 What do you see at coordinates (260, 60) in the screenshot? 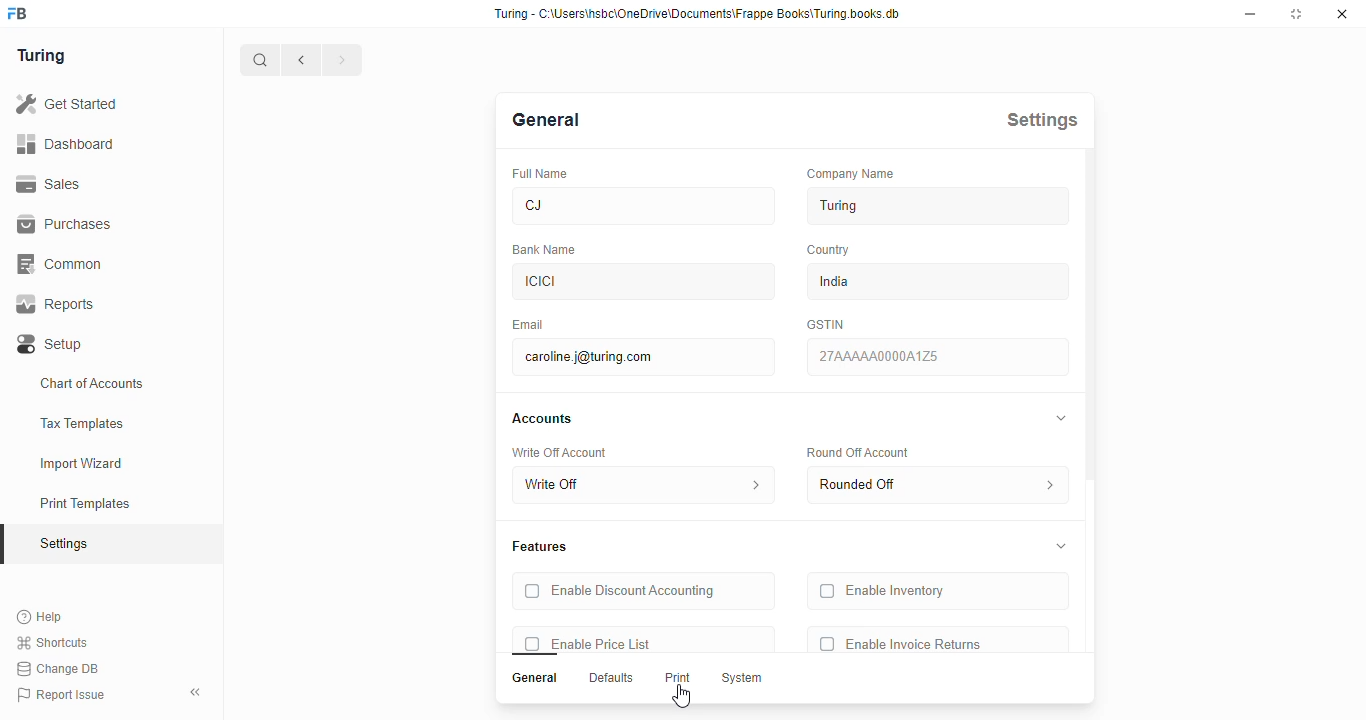
I see `search` at bounding box center [260, 60].